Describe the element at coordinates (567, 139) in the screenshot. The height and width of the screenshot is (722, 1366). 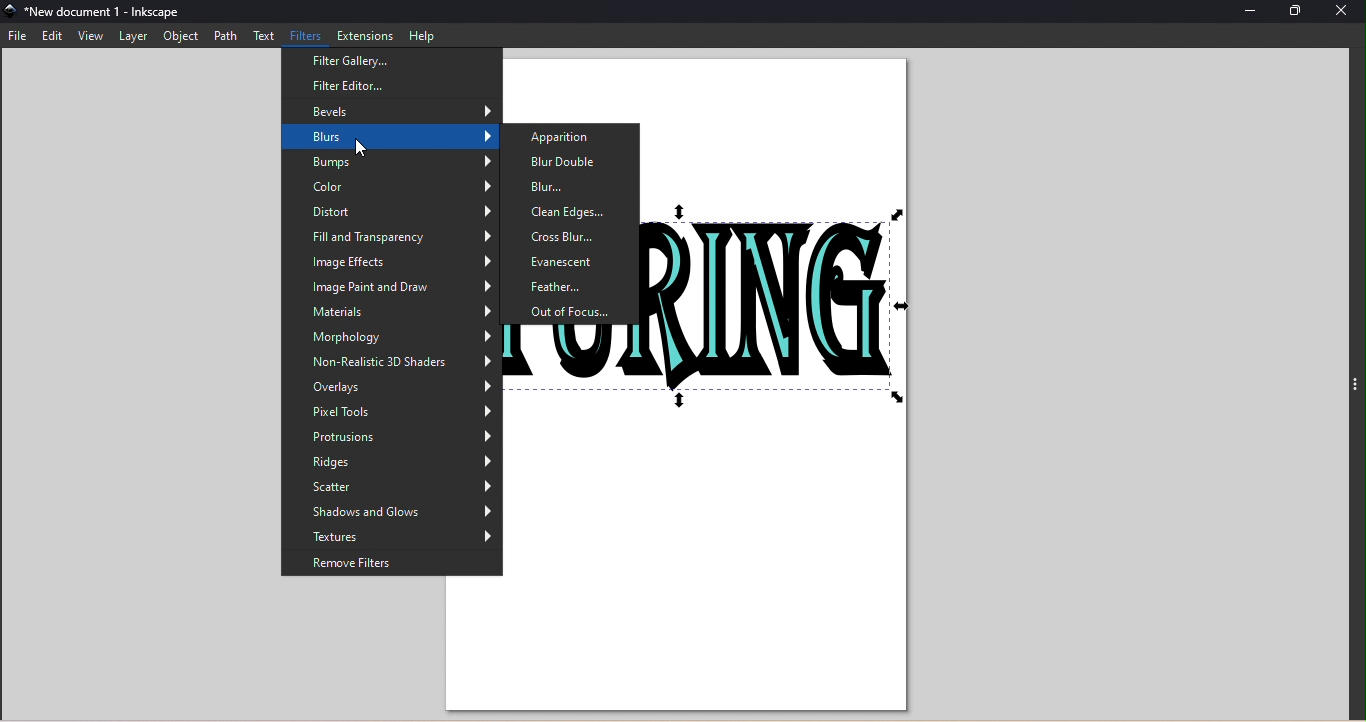
I see `Apparition` at that location.